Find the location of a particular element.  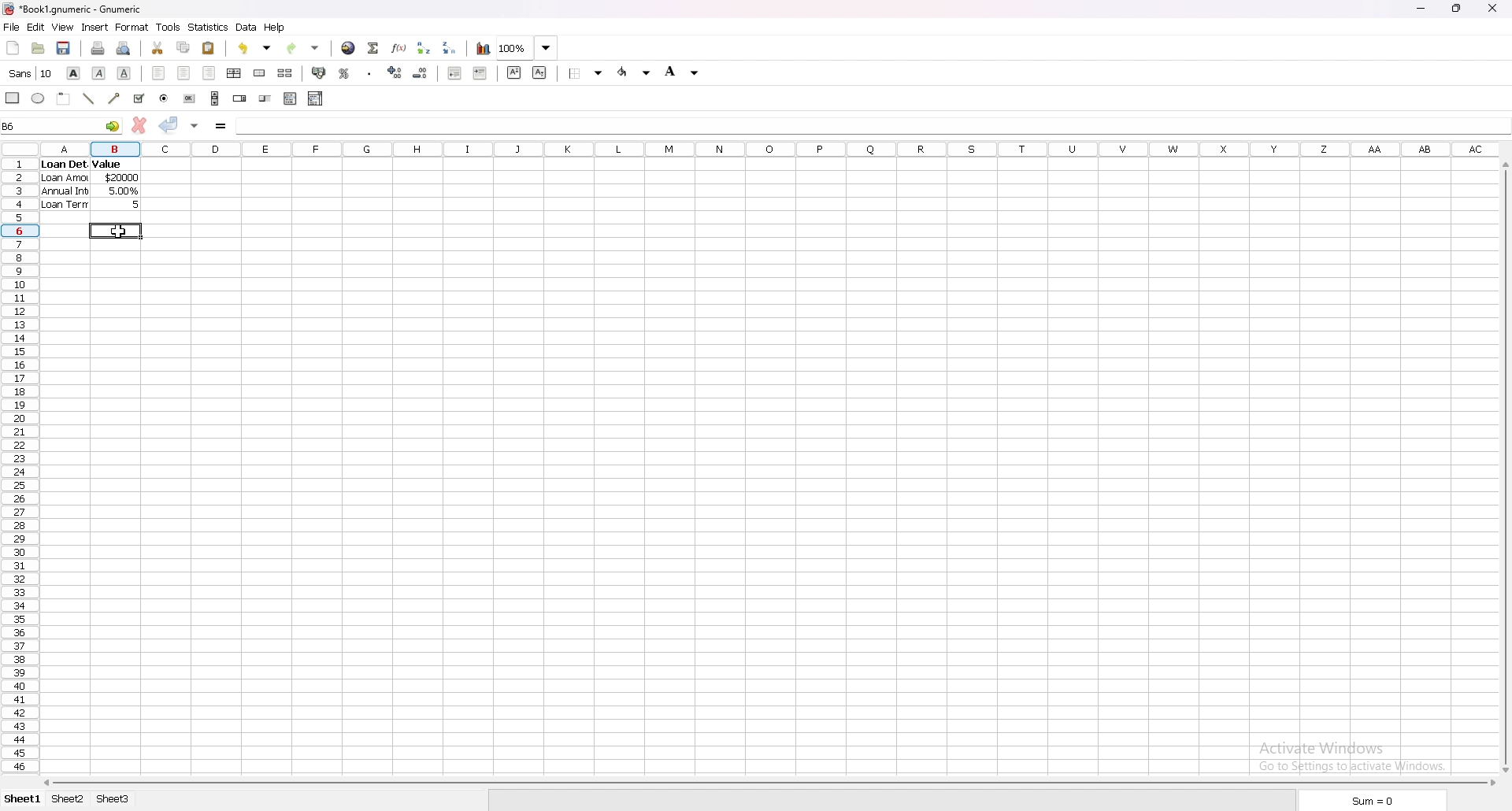

font is located at coordinates (31, 72).